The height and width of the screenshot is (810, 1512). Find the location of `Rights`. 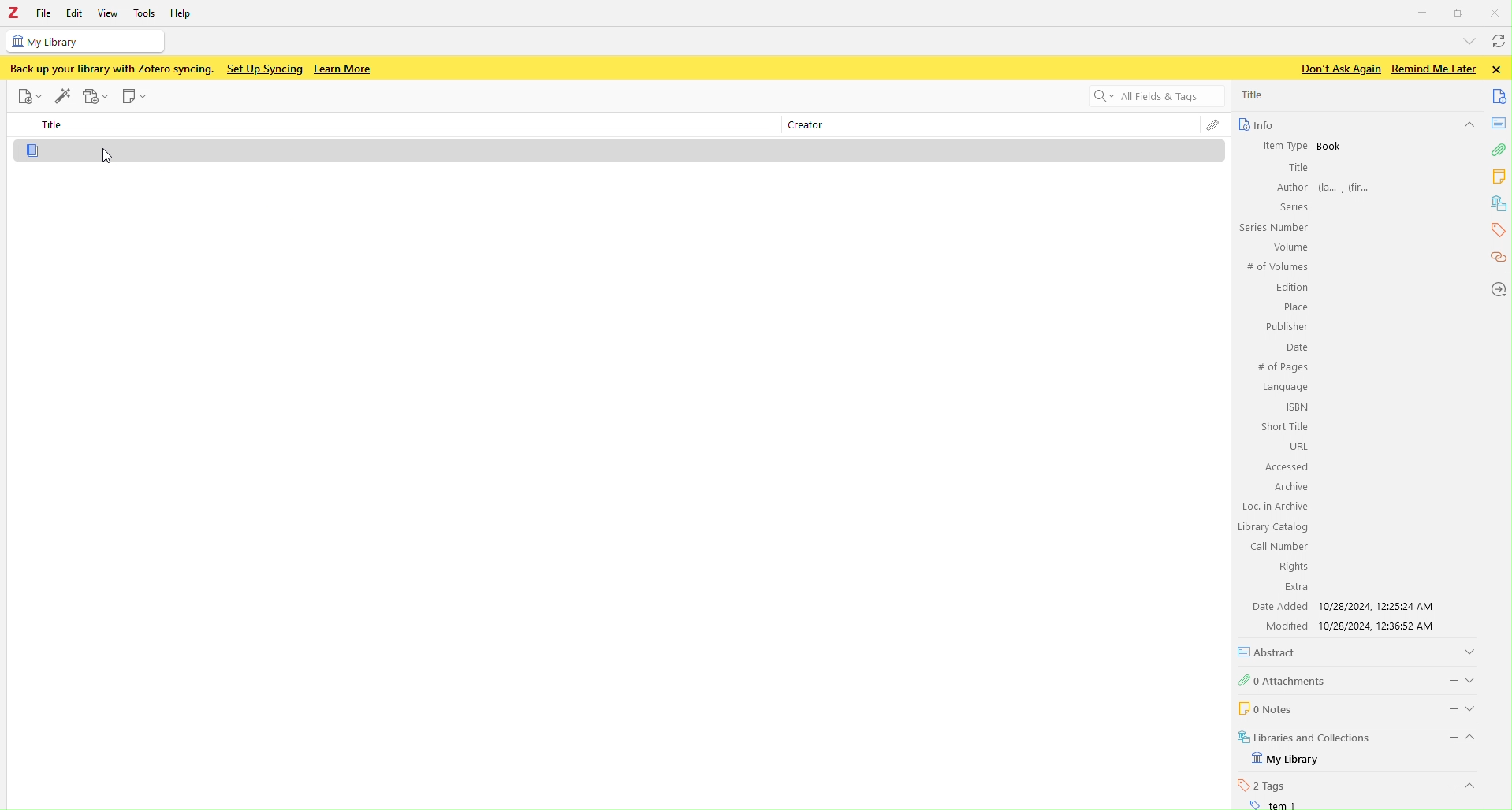

Rights is located at coordinates (1290, 566).